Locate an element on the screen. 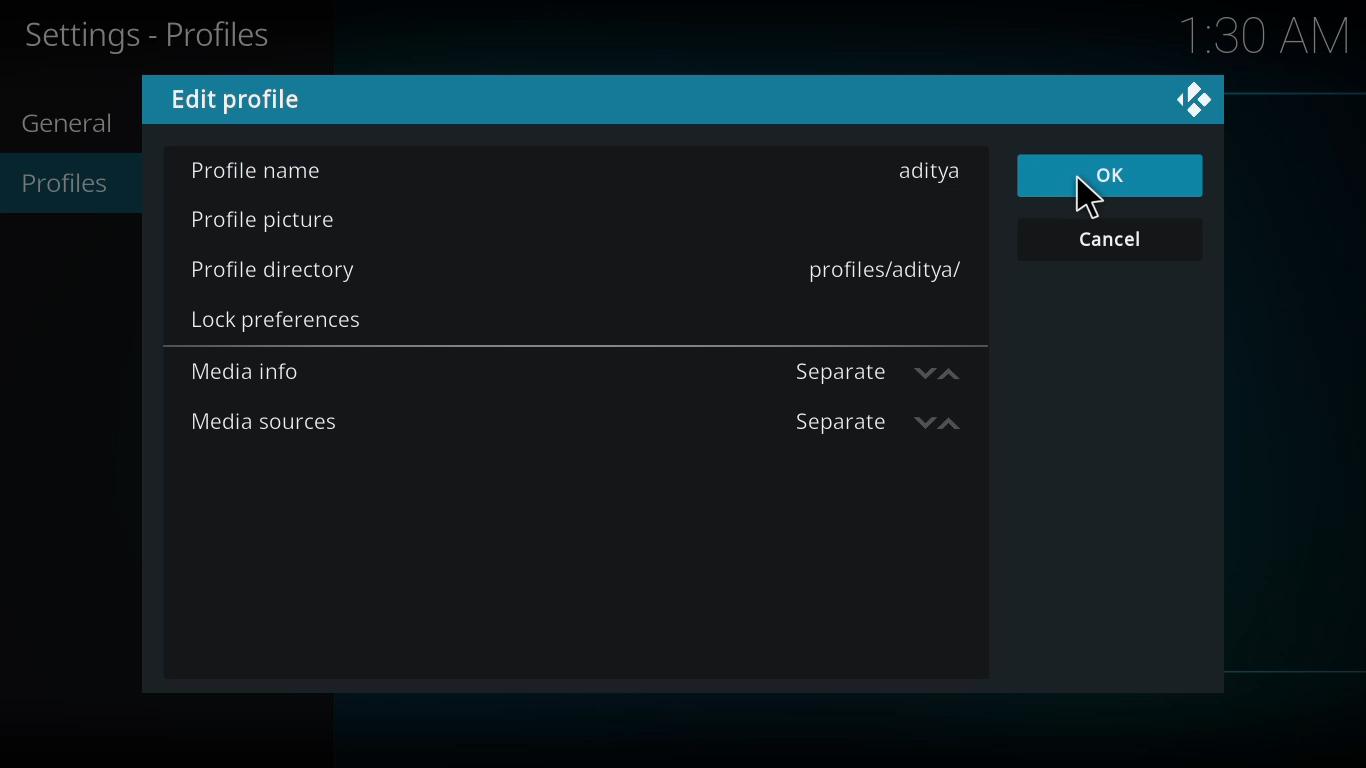  profile name is located at coordinates (255, 171).